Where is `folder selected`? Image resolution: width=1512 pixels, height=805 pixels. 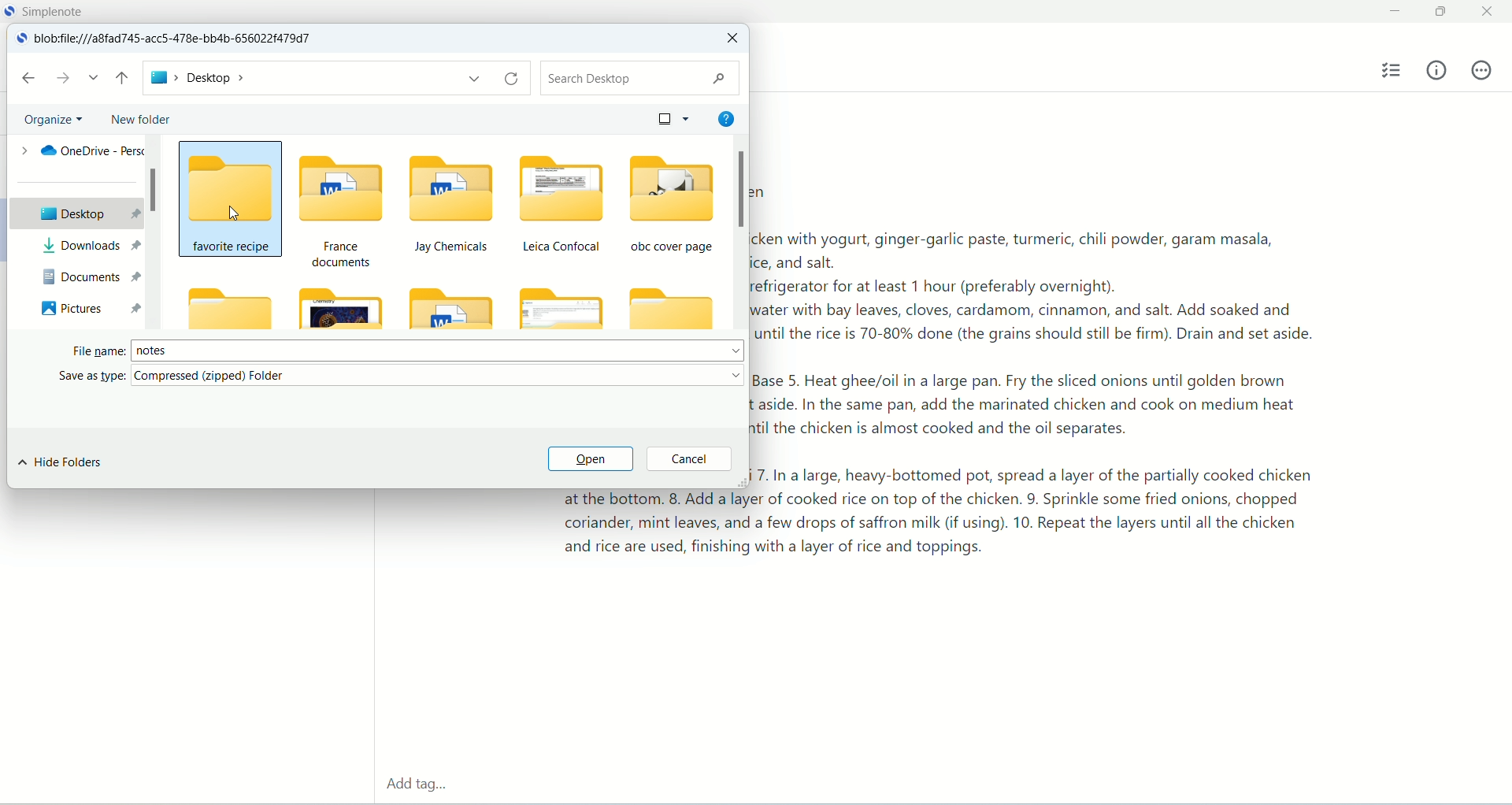 folder selected is located at coordinates (231, 197).